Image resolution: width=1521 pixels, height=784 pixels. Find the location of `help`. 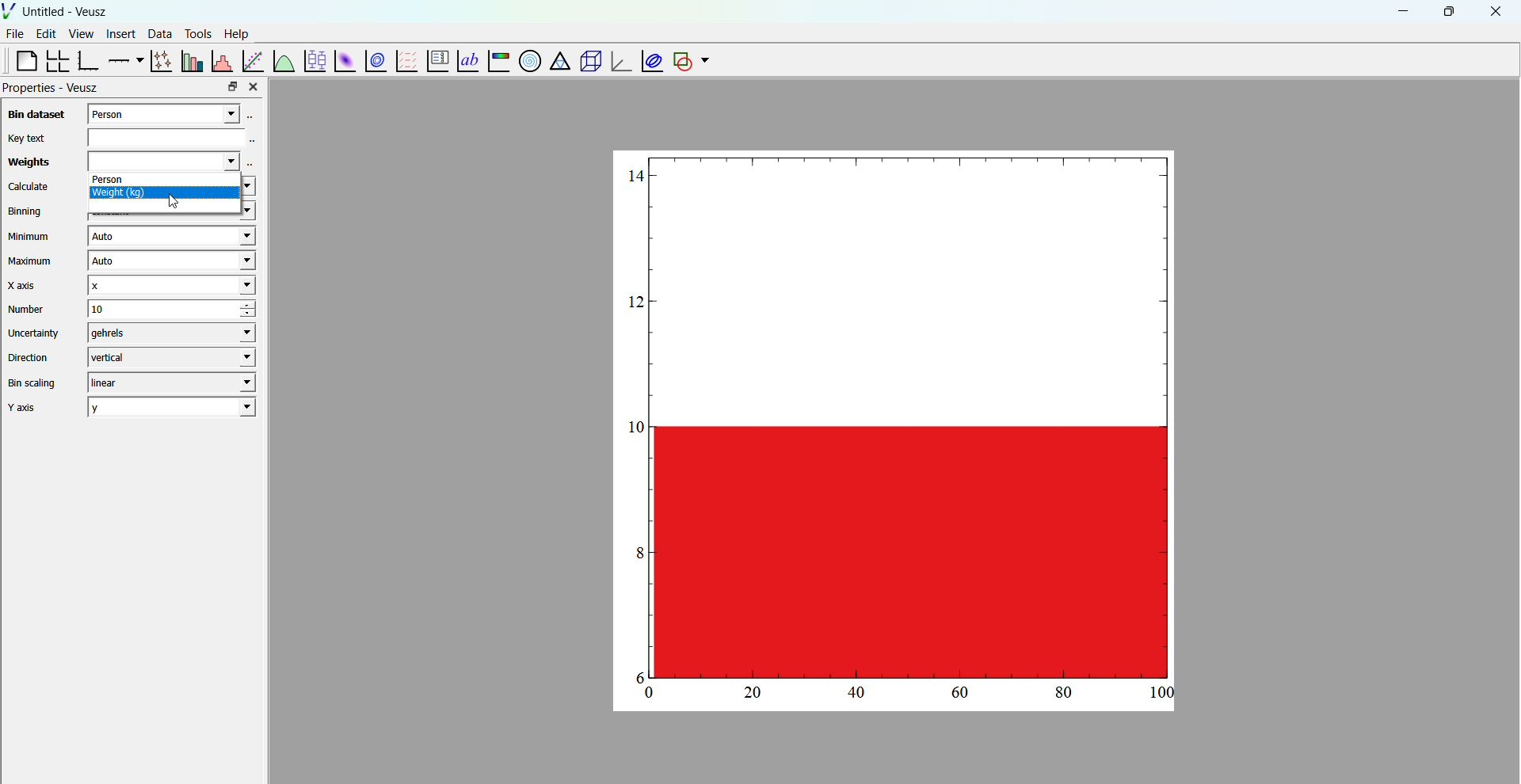

help is located at coordinates (237, 32).